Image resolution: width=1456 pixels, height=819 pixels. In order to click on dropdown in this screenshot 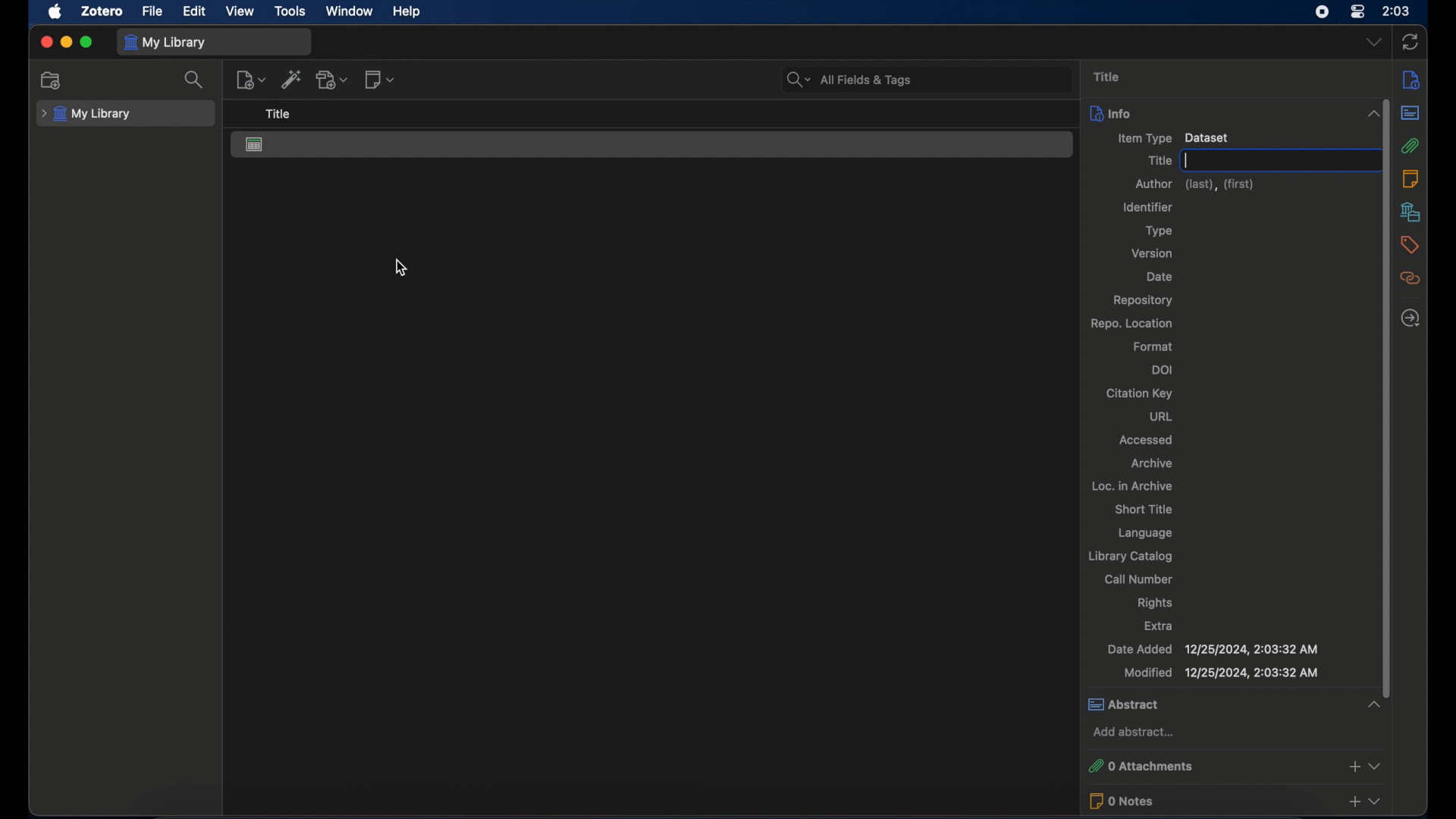, I will do `click(1375, 41)`.